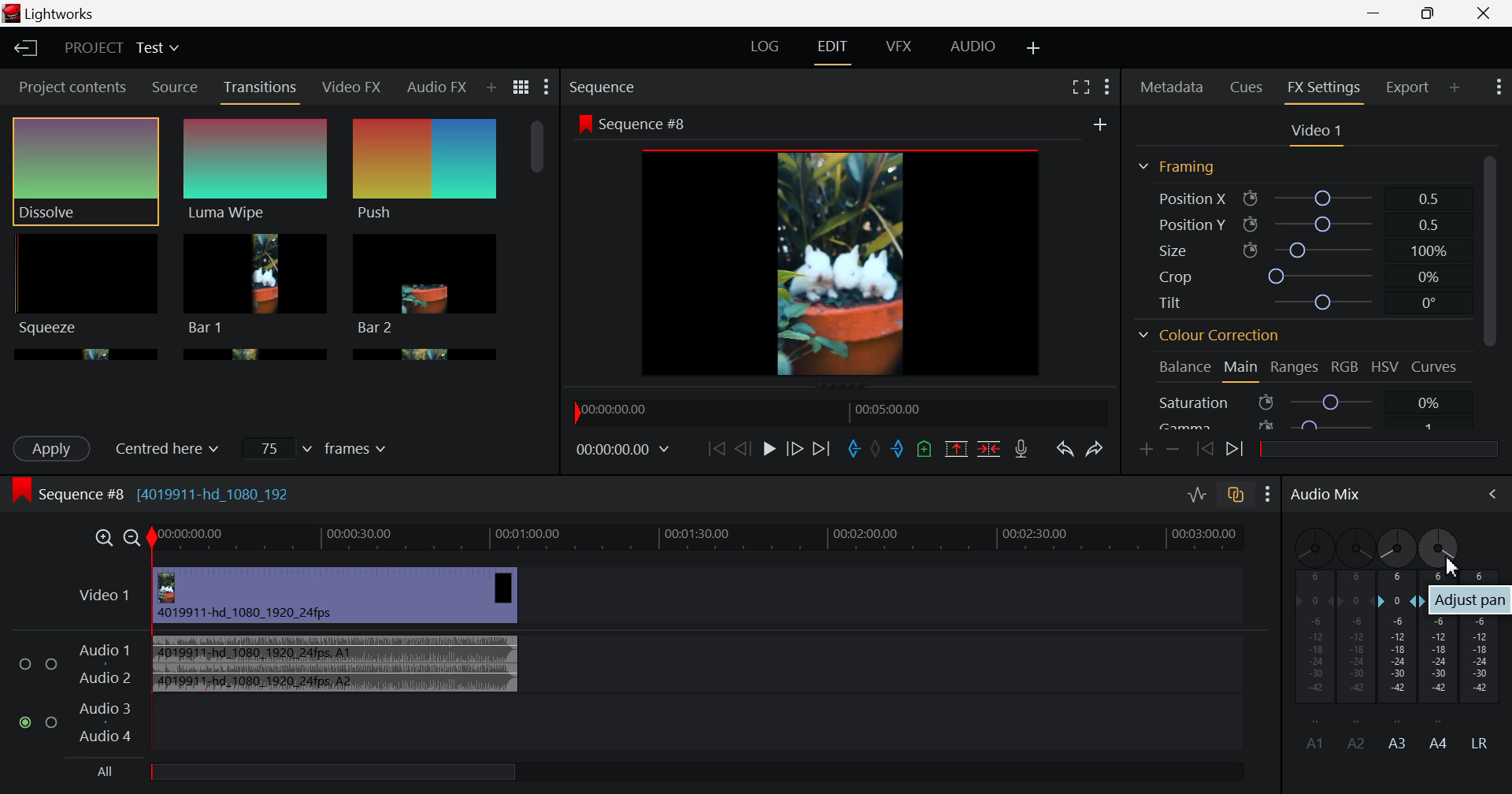 This screenshot has height=794, width=1512. I want to click on LOG Layout, so click(766, 46).